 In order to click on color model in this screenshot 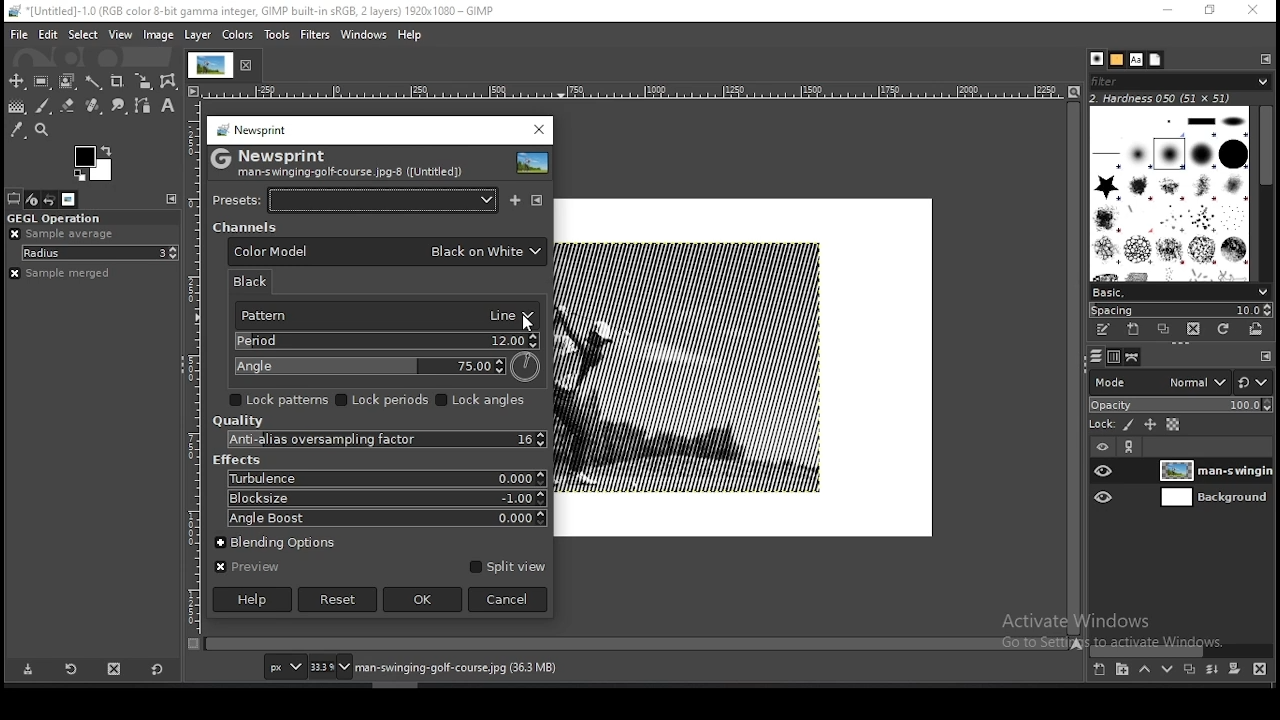, I will do `click(387, 252)`.